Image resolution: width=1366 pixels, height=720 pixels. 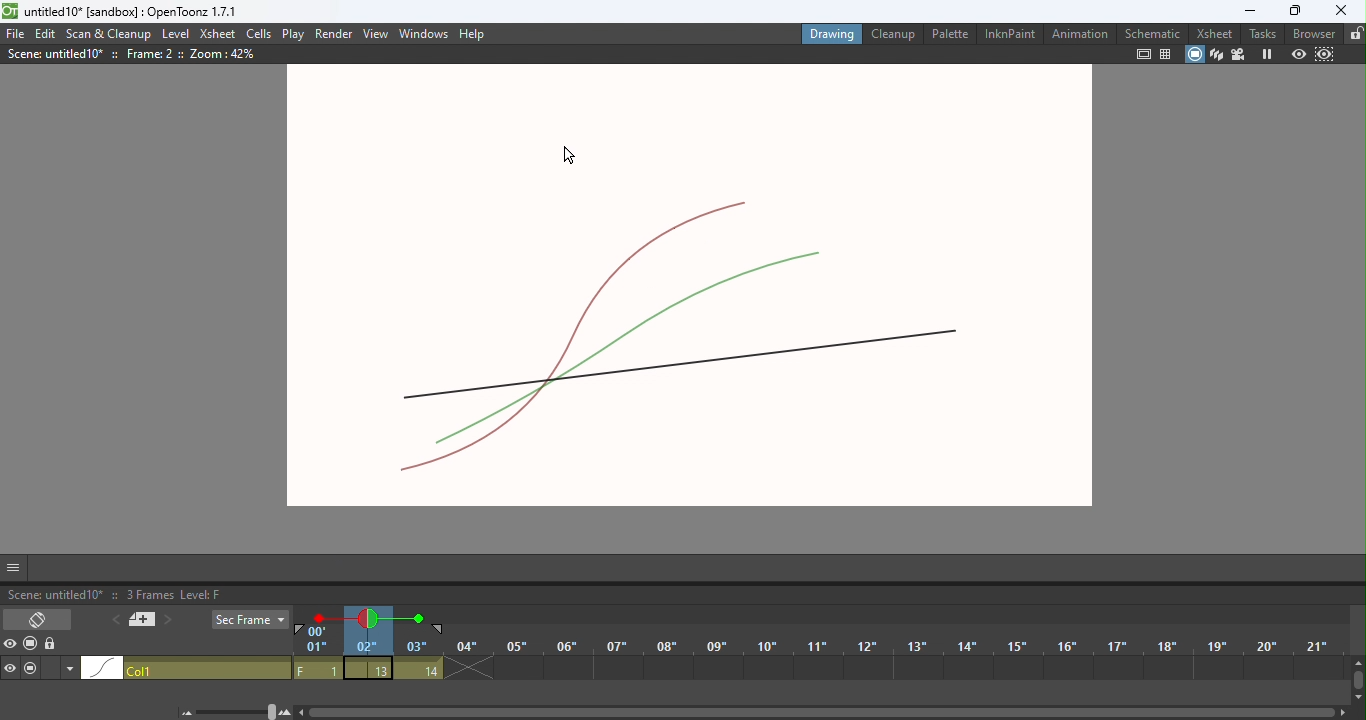 I want to click on Playback end marker, so click(x=440, y=630).